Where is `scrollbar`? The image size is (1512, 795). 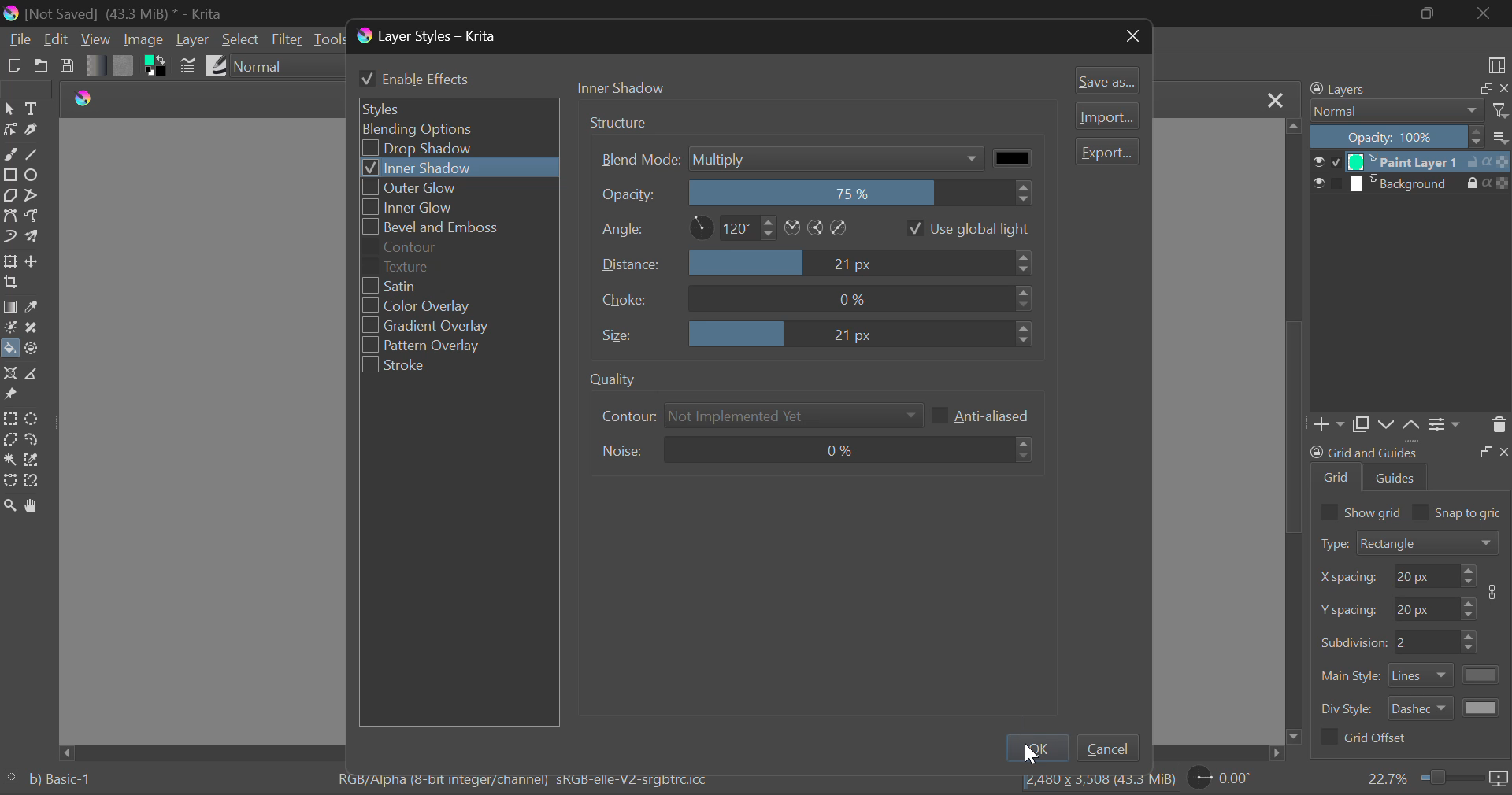 scrollbar is located at coordinates (1288, 428).